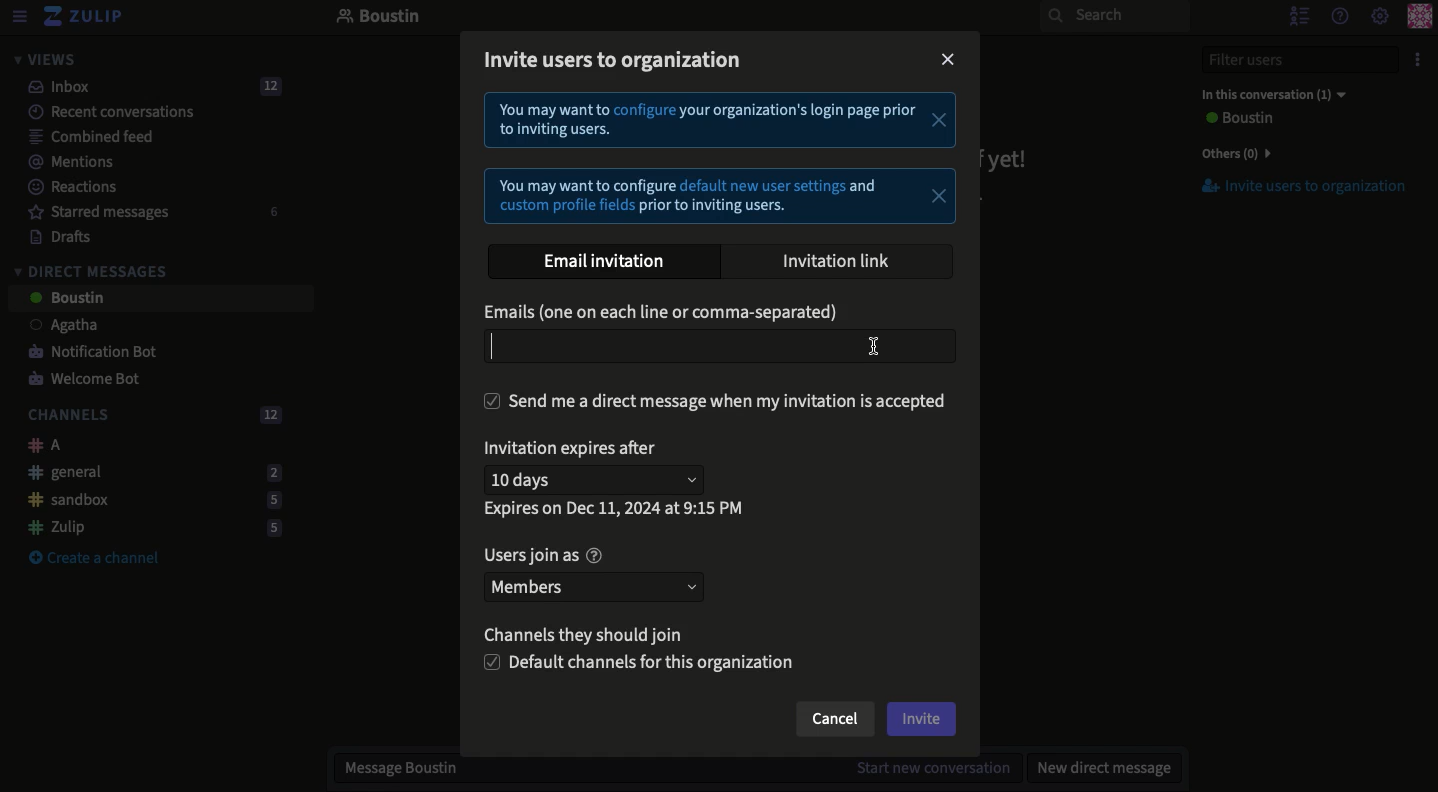  Describe the element at coordinates (616, 508) in the screenshot. I see `Expires on data` at that location.